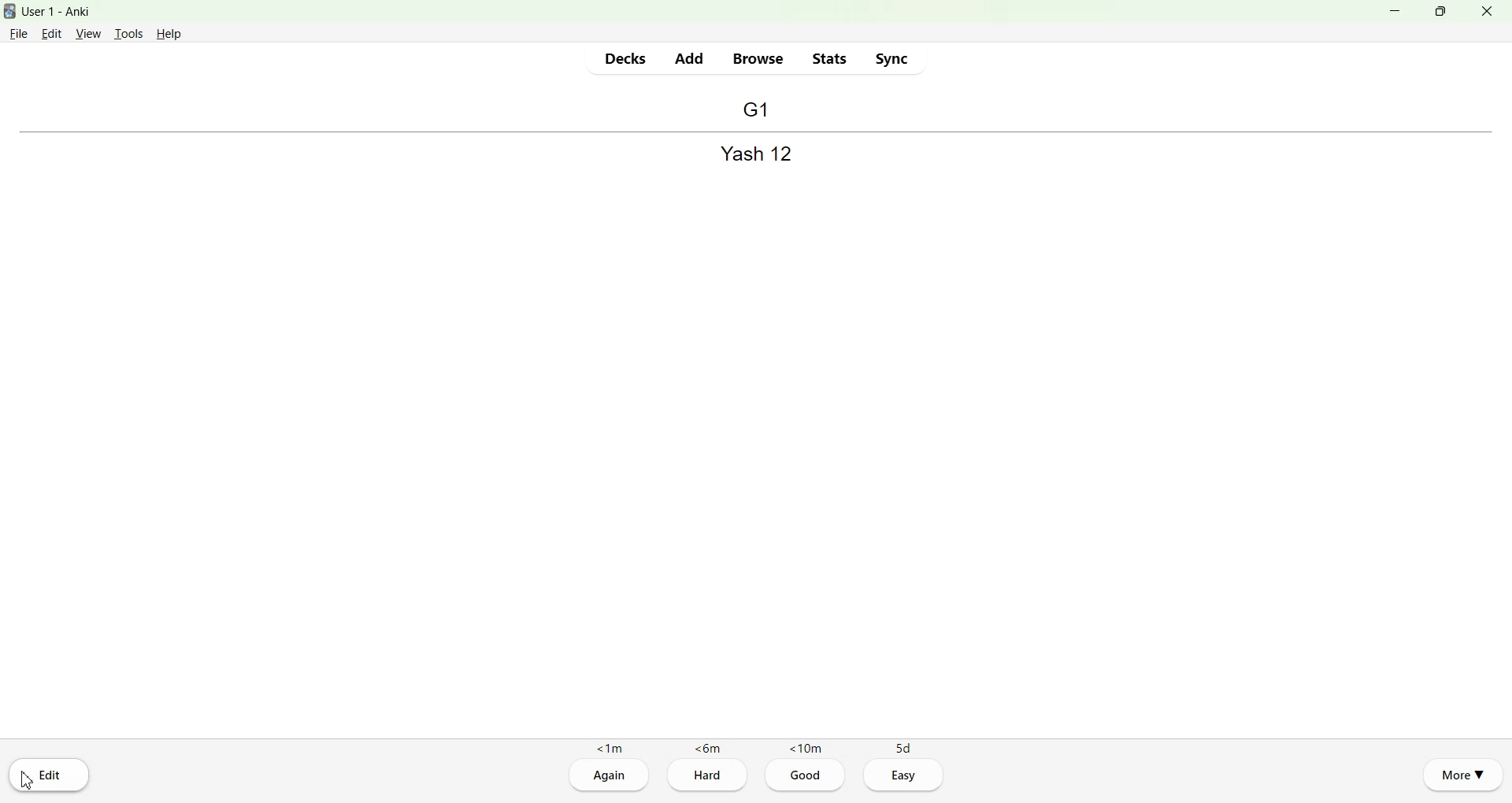 Image resolution: width=1512 pixels, height=803 pixels. I want to click on Stats, so click(828, 58).